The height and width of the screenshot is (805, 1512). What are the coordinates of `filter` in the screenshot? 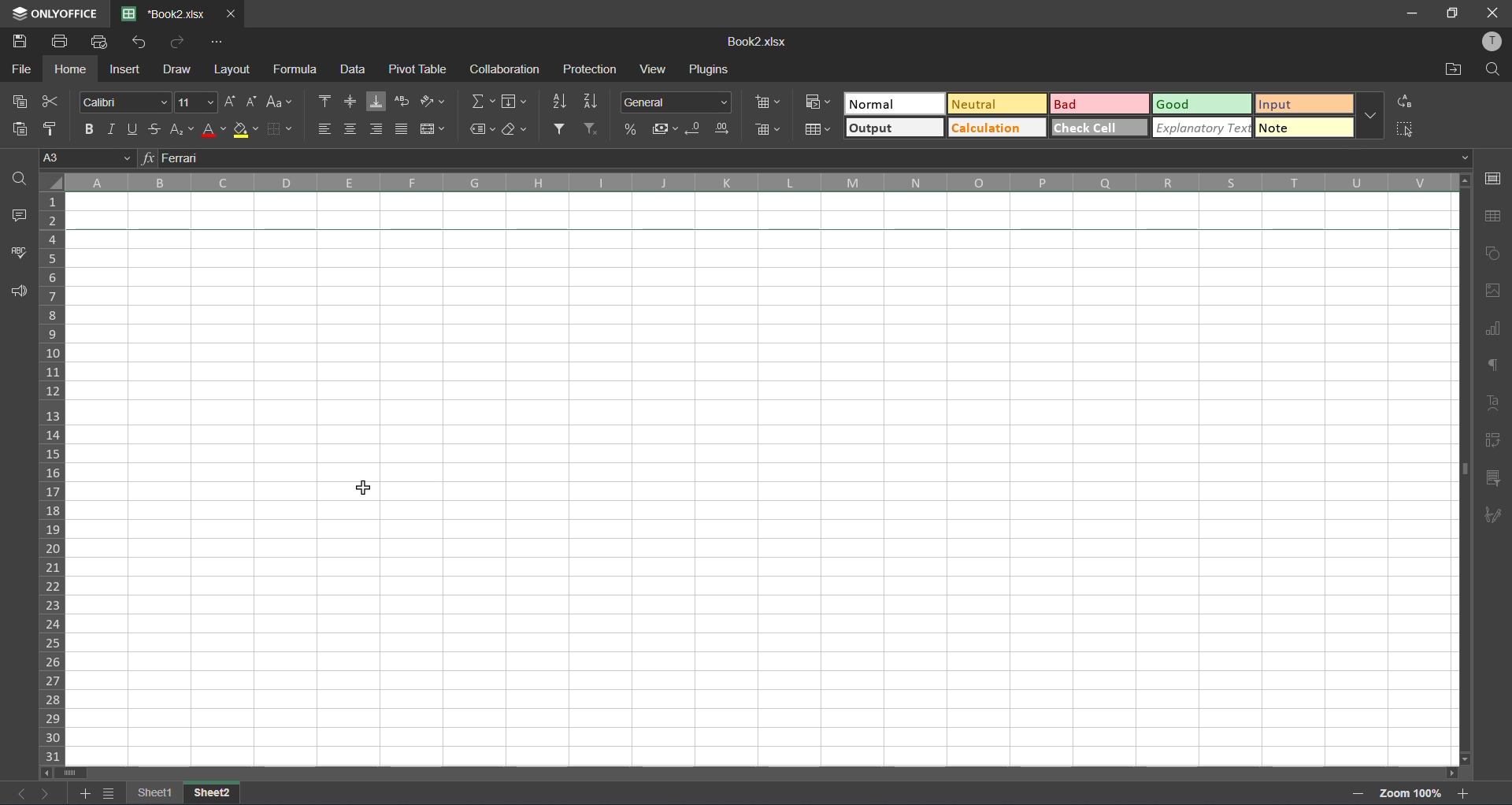 It's located at (561, 128).